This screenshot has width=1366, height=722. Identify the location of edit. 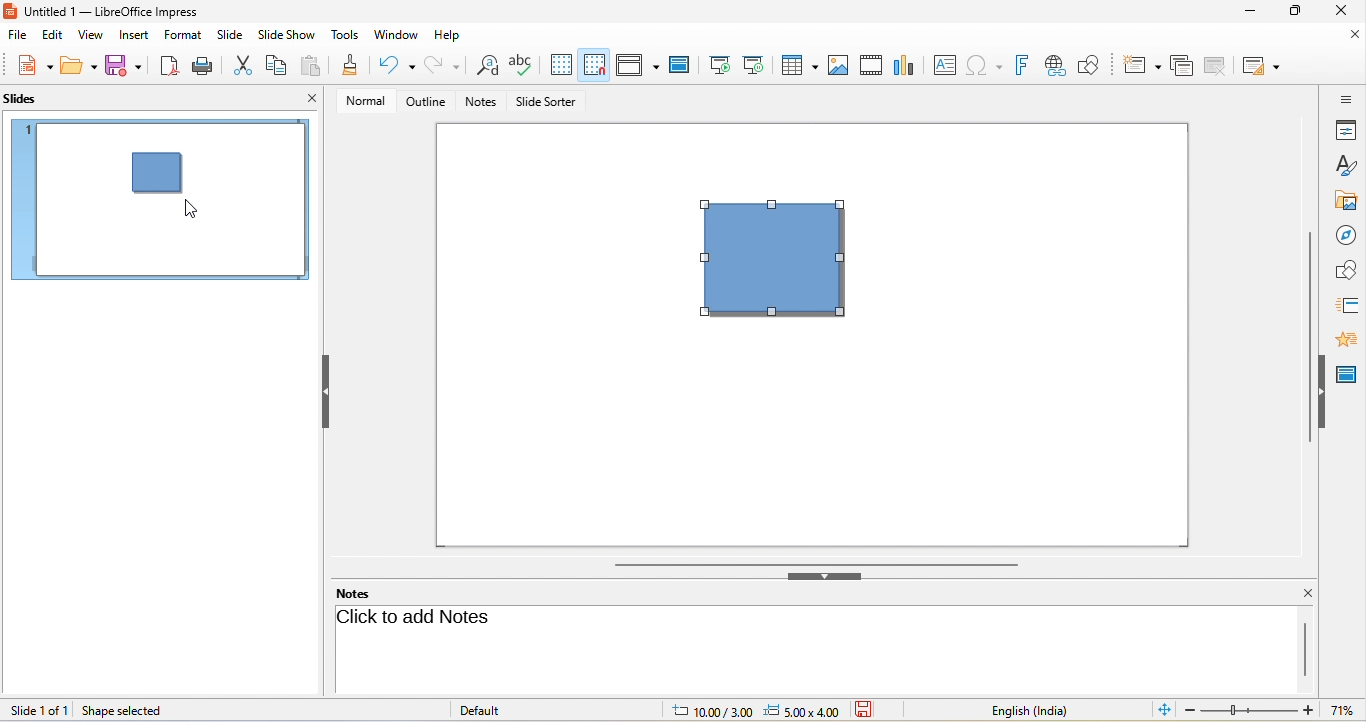
(50, 38).